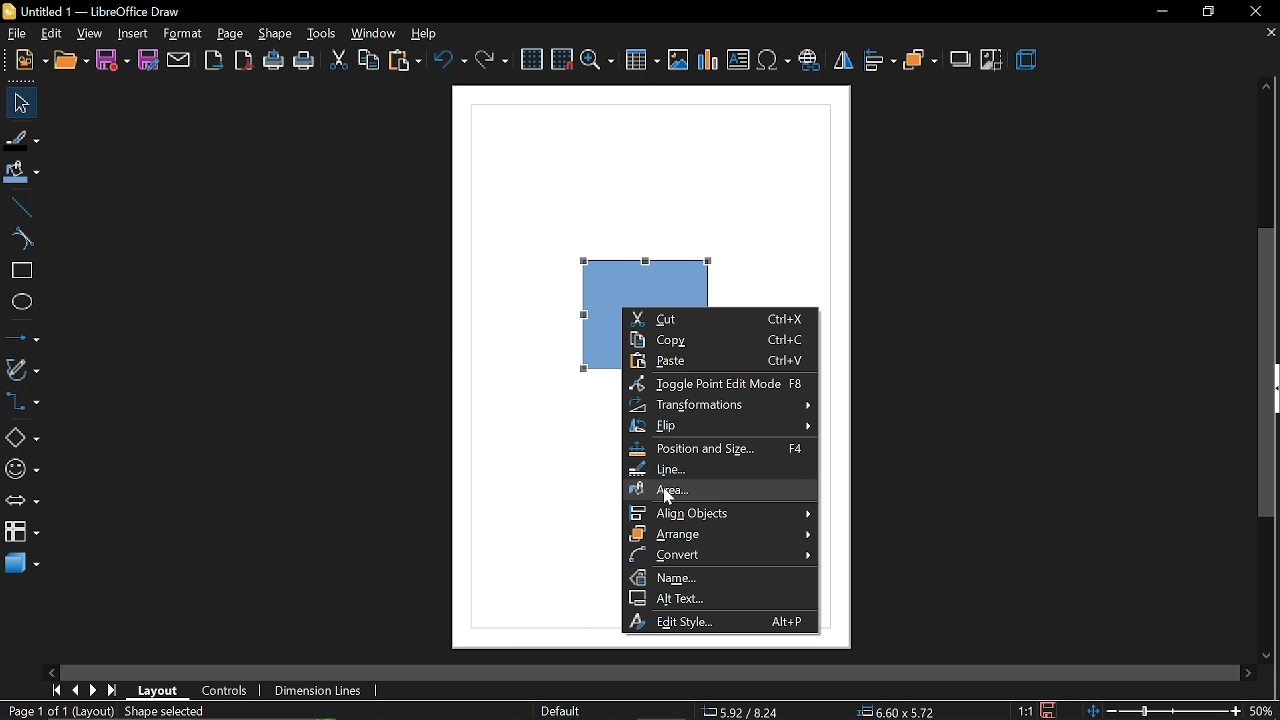 The width and height of the screenshot is (1280, 720). What do you see at coordinates (56, 690) in the screenshot?
I see `go to first page` at bounding box center [56, 690].